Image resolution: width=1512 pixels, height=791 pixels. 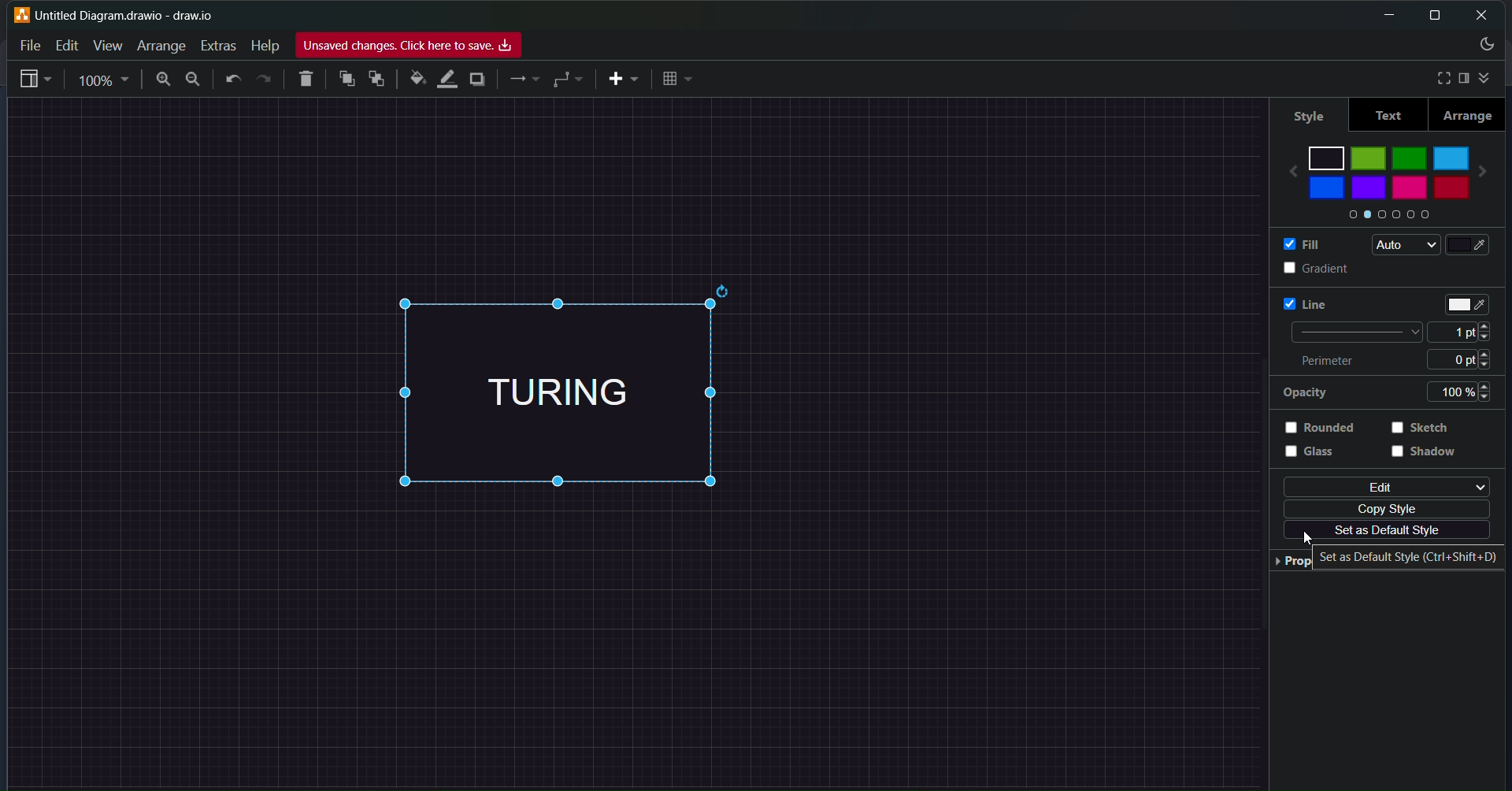 What do you see at coordinates (1425, 429) in the screenshot?
I see `sketch` at bounding box center [1425, 429].